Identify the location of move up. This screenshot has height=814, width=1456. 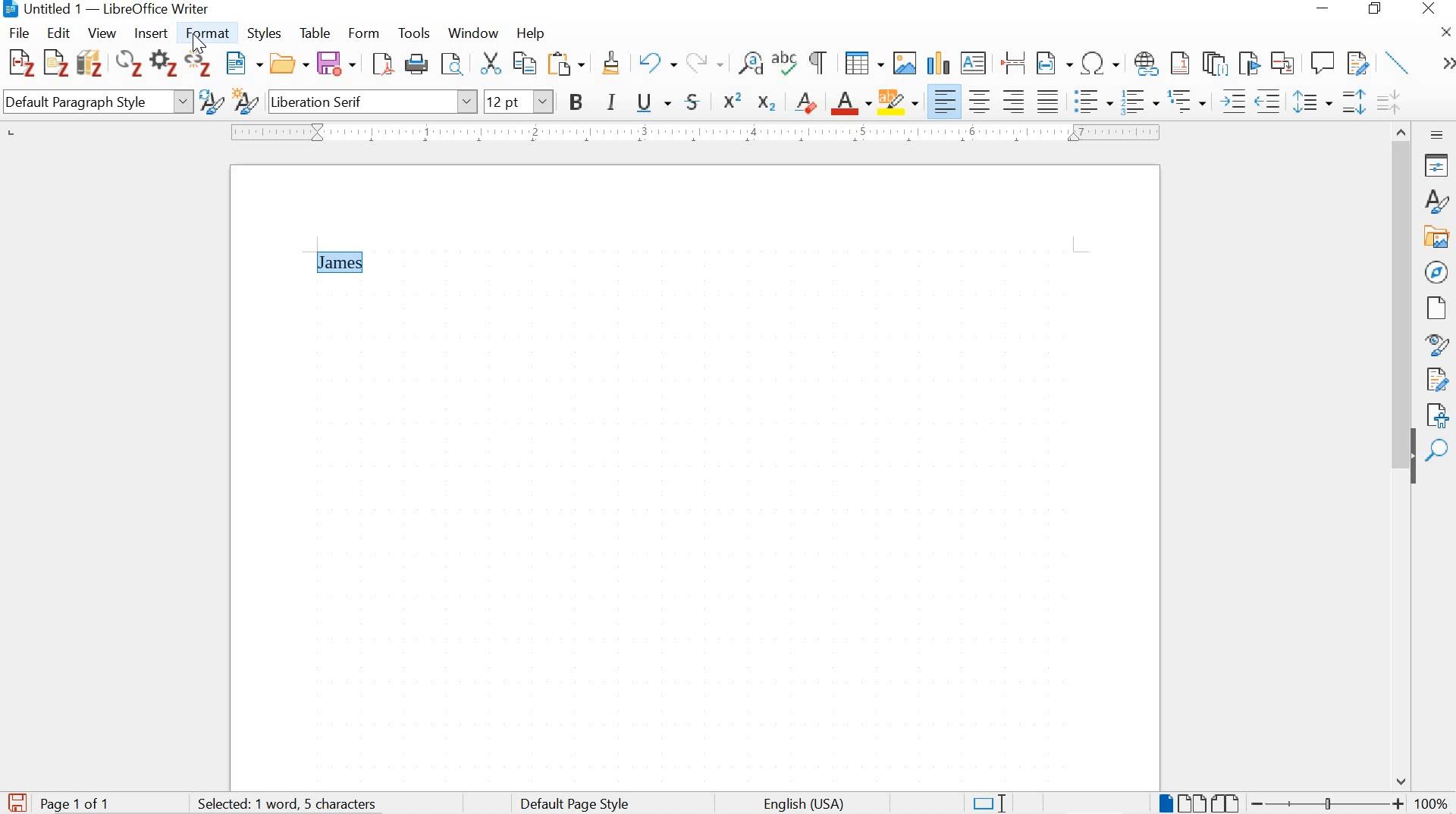
(1403, 129).